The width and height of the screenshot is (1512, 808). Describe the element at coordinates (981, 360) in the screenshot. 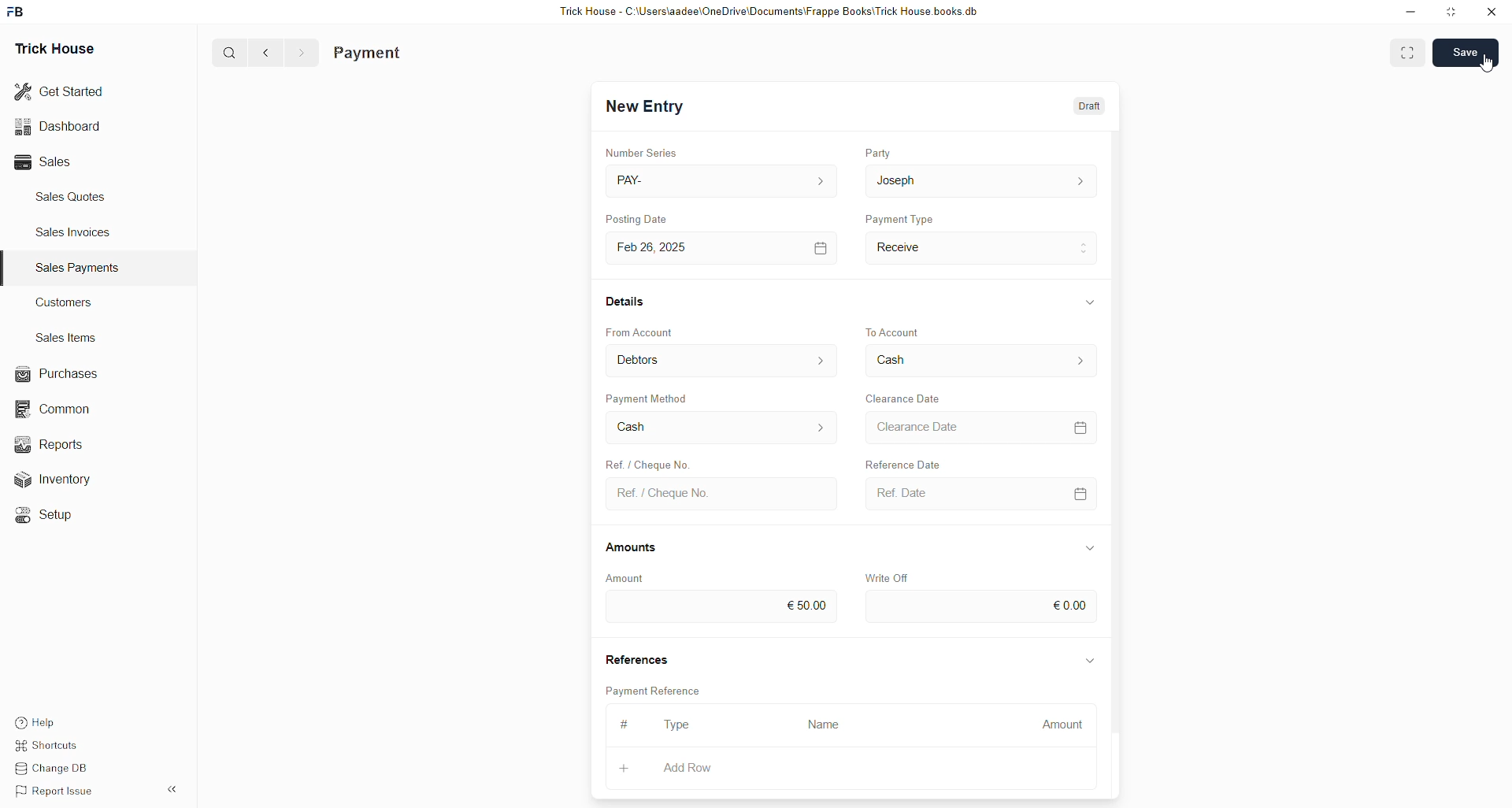

I see `To Account` at that location.